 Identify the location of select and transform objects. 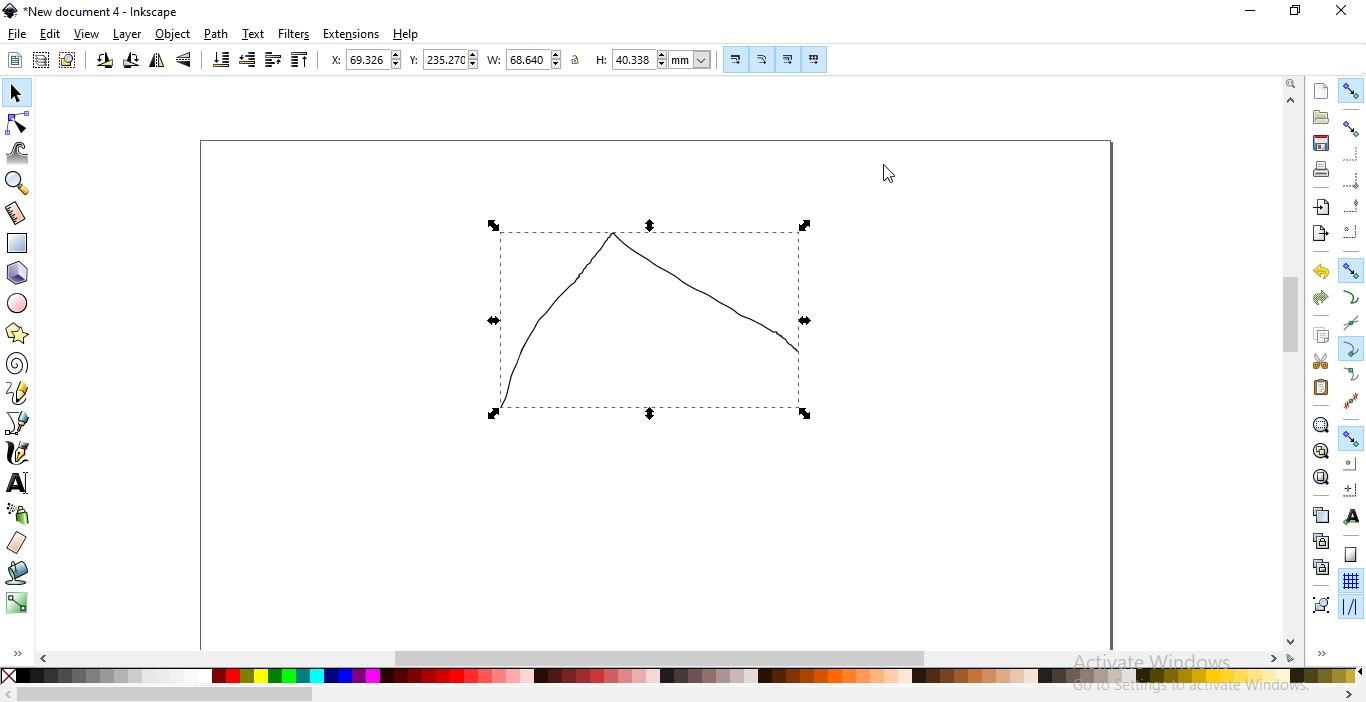
(18, 94).